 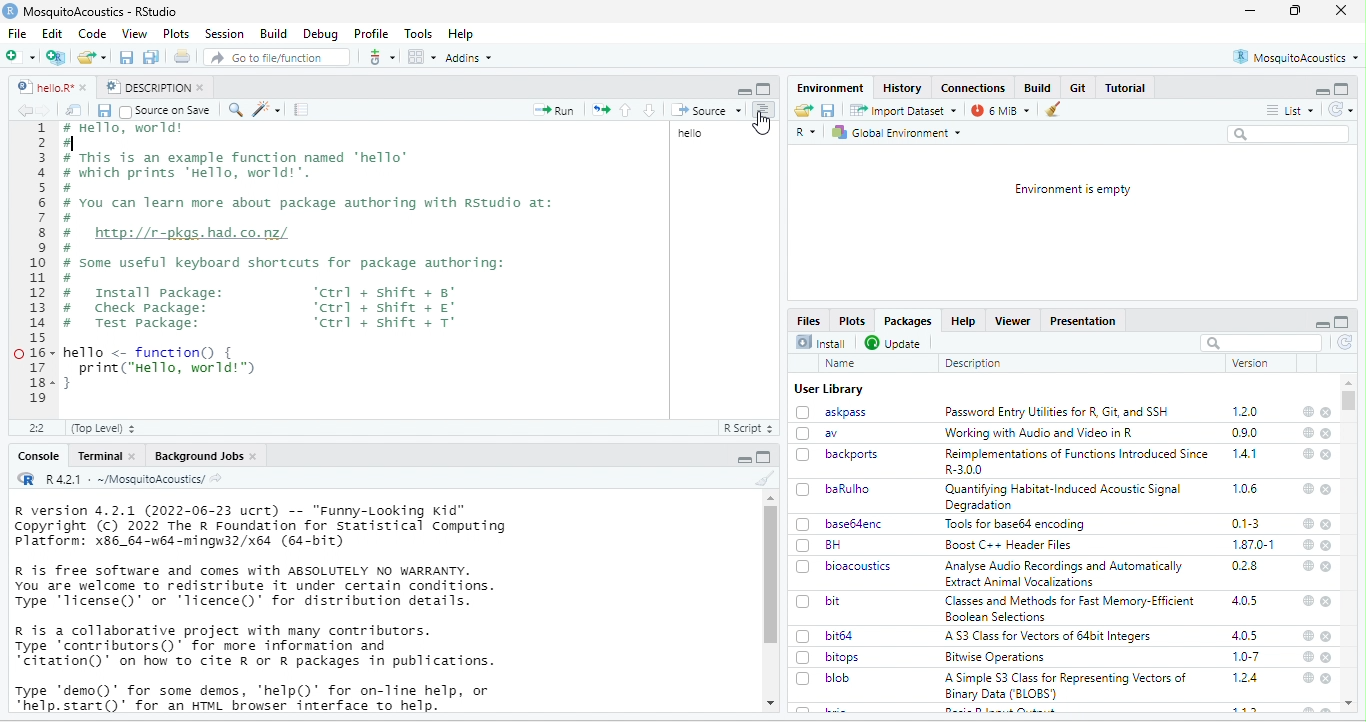 What do you see at coordinates (93, 56) in the screenshot?
I see `open an existing file` at bounding box center [93, 56].